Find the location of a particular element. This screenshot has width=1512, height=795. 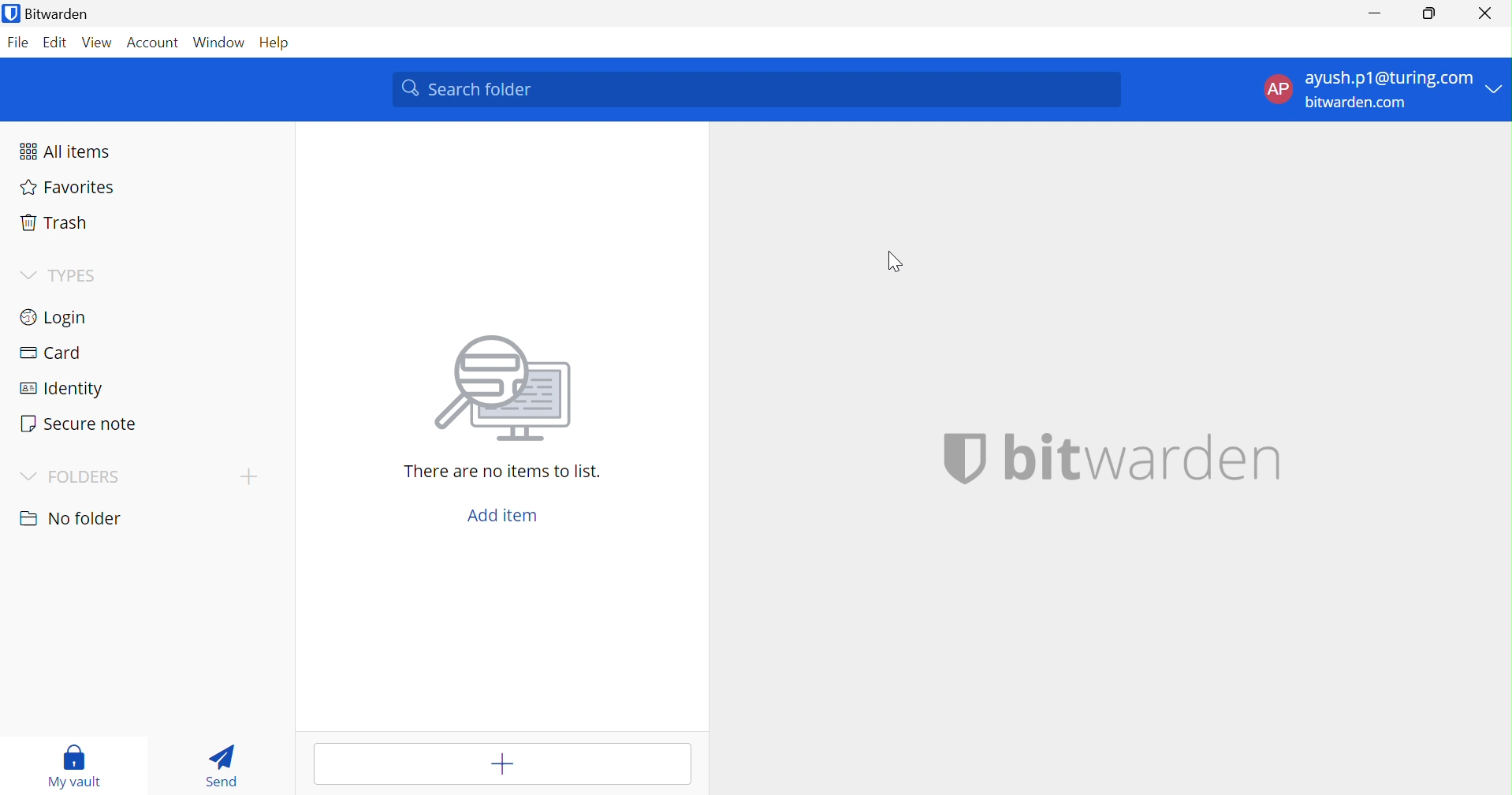

Favorites is located at coordinates (68, 187).